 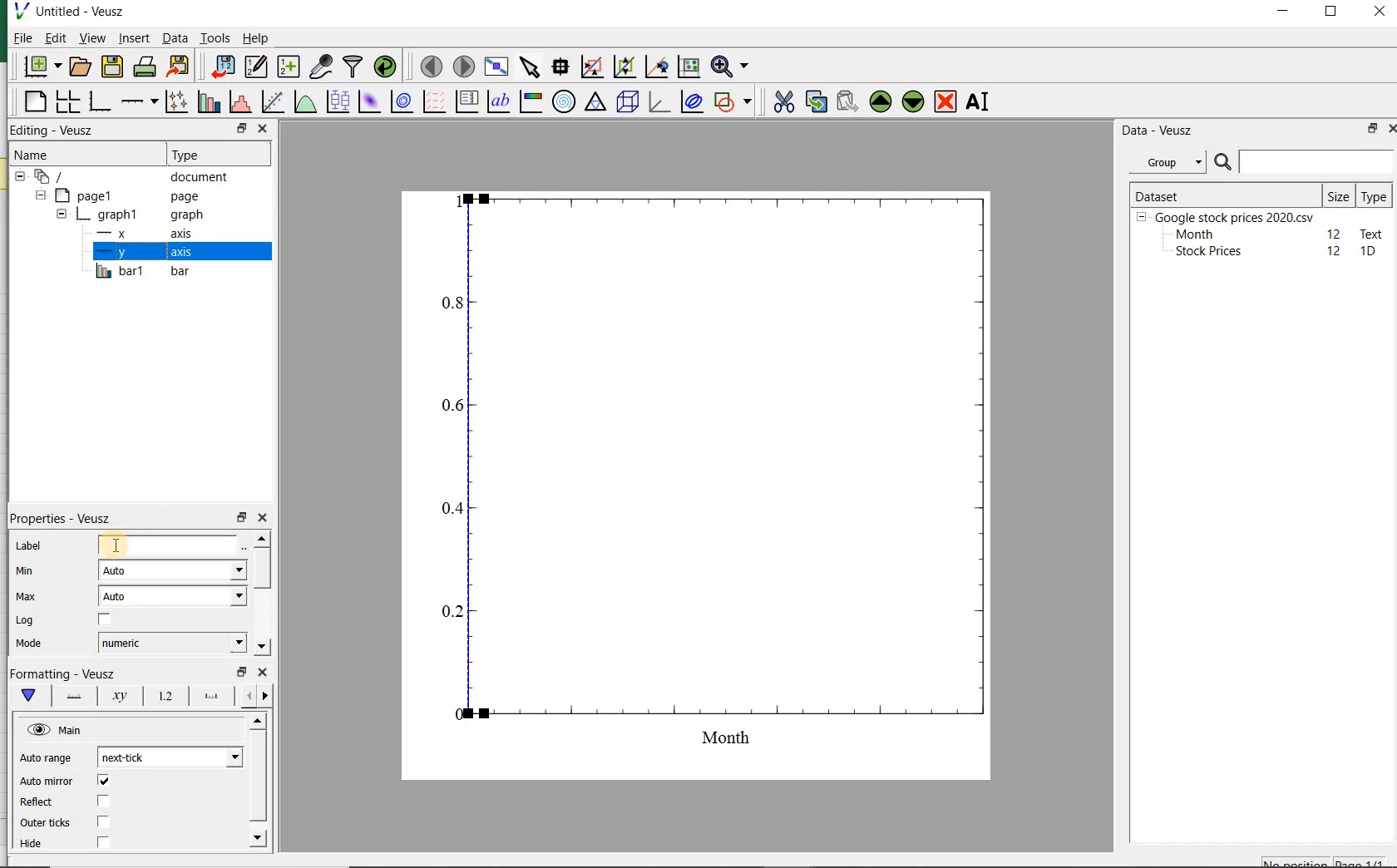 What do you see at coordinates (1335, 251) in the screenshot?
I see `12` at bounding box center [1335, 251].